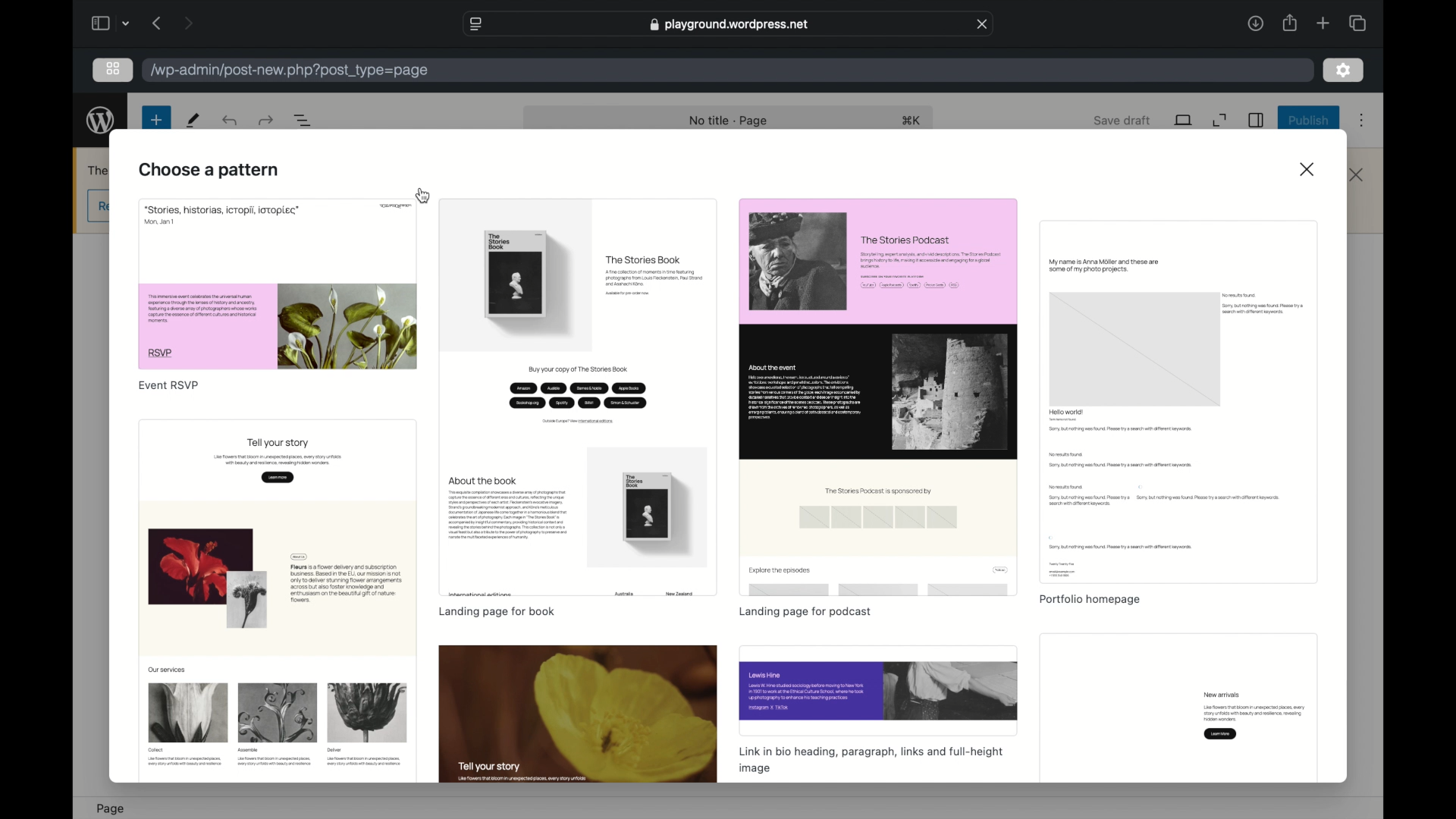 The width and height of the screenshot is (1456, 819). I want to click on choose a pattern, so click(209, 171).